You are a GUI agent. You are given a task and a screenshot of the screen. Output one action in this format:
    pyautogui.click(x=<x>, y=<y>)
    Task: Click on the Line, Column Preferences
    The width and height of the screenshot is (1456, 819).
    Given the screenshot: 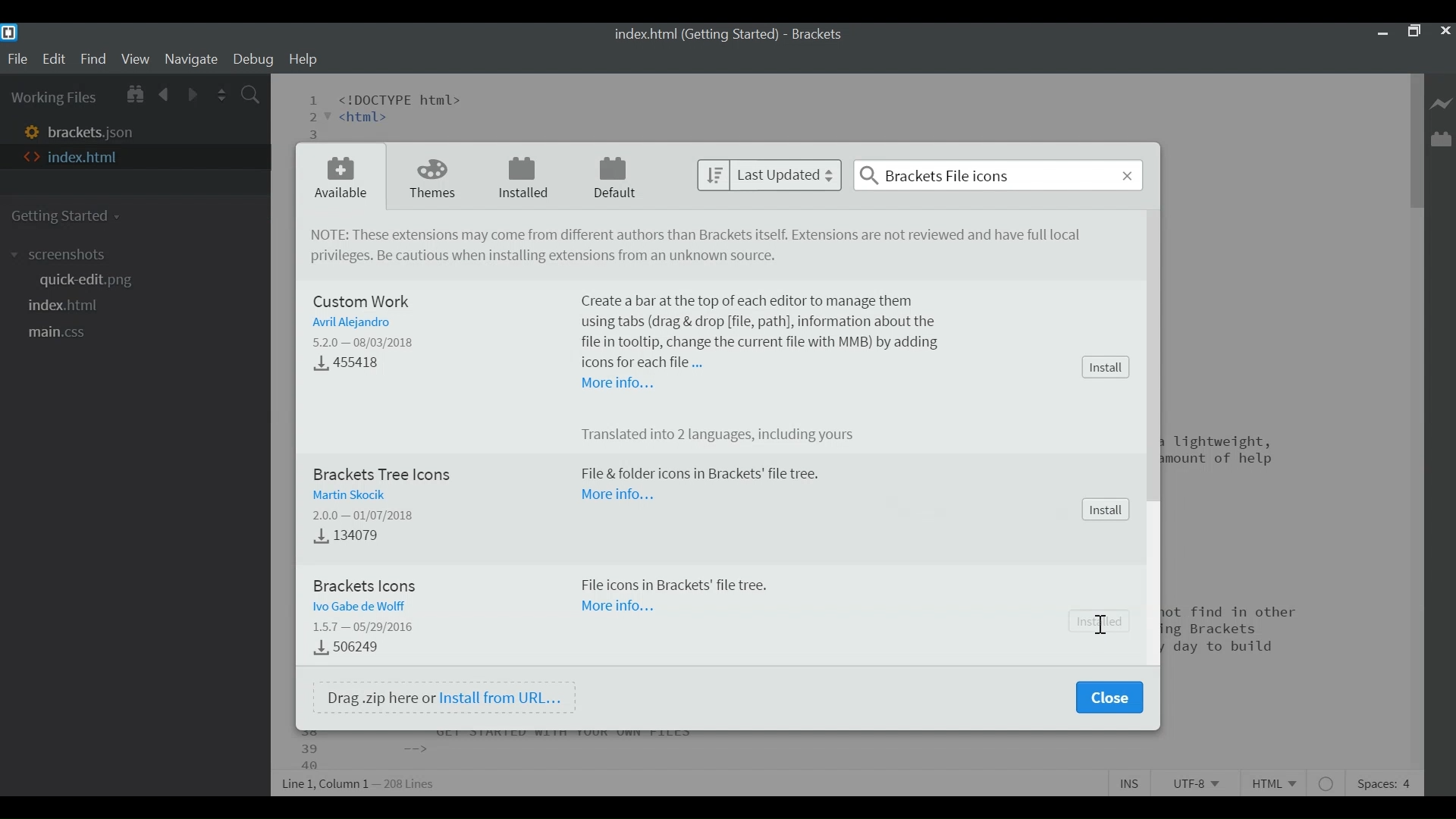 What is the action you would take?
    pyautogui.click(x=360, y=781)
    